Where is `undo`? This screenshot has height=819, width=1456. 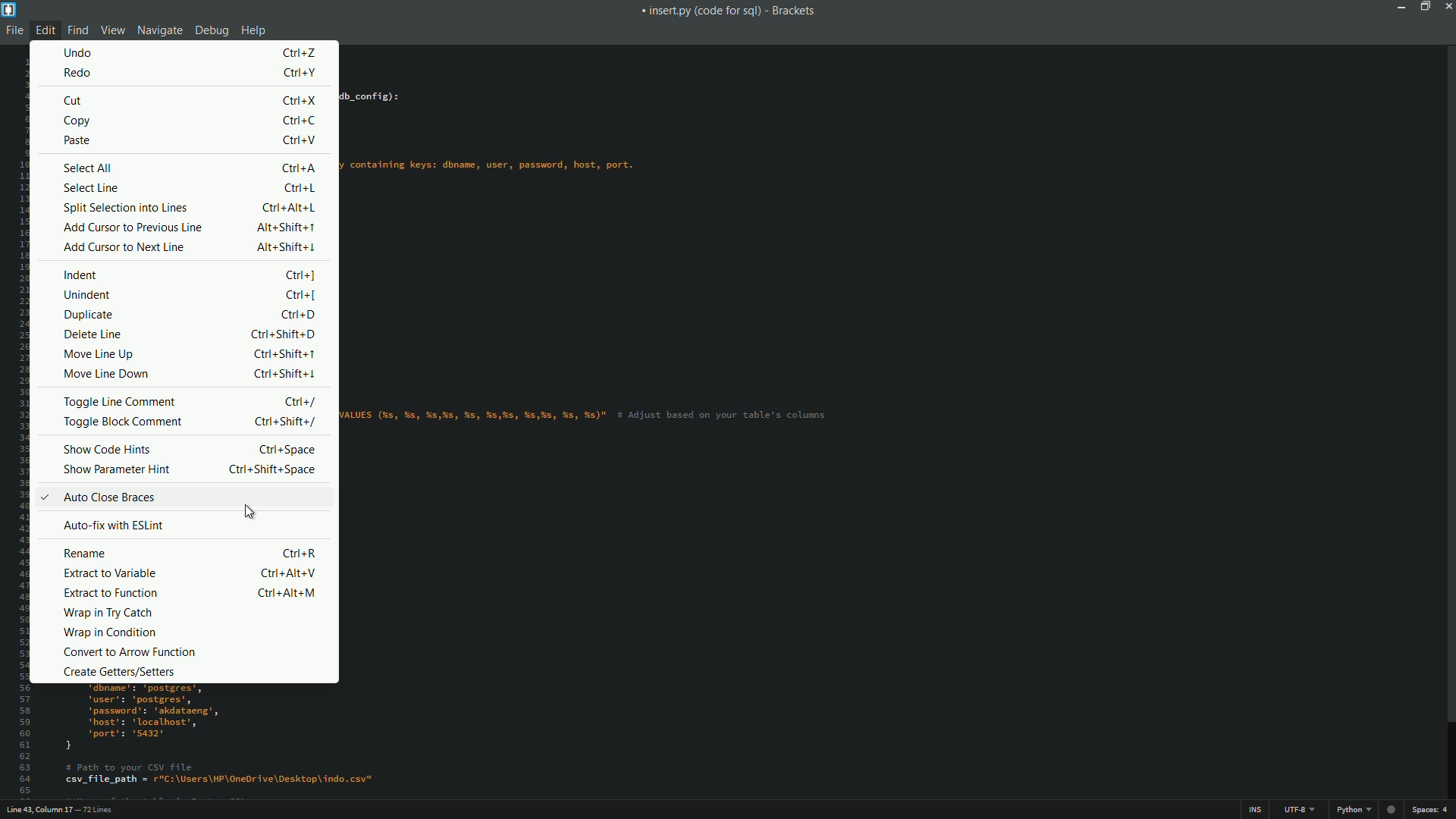 undo is located at coordinates (81, 52).